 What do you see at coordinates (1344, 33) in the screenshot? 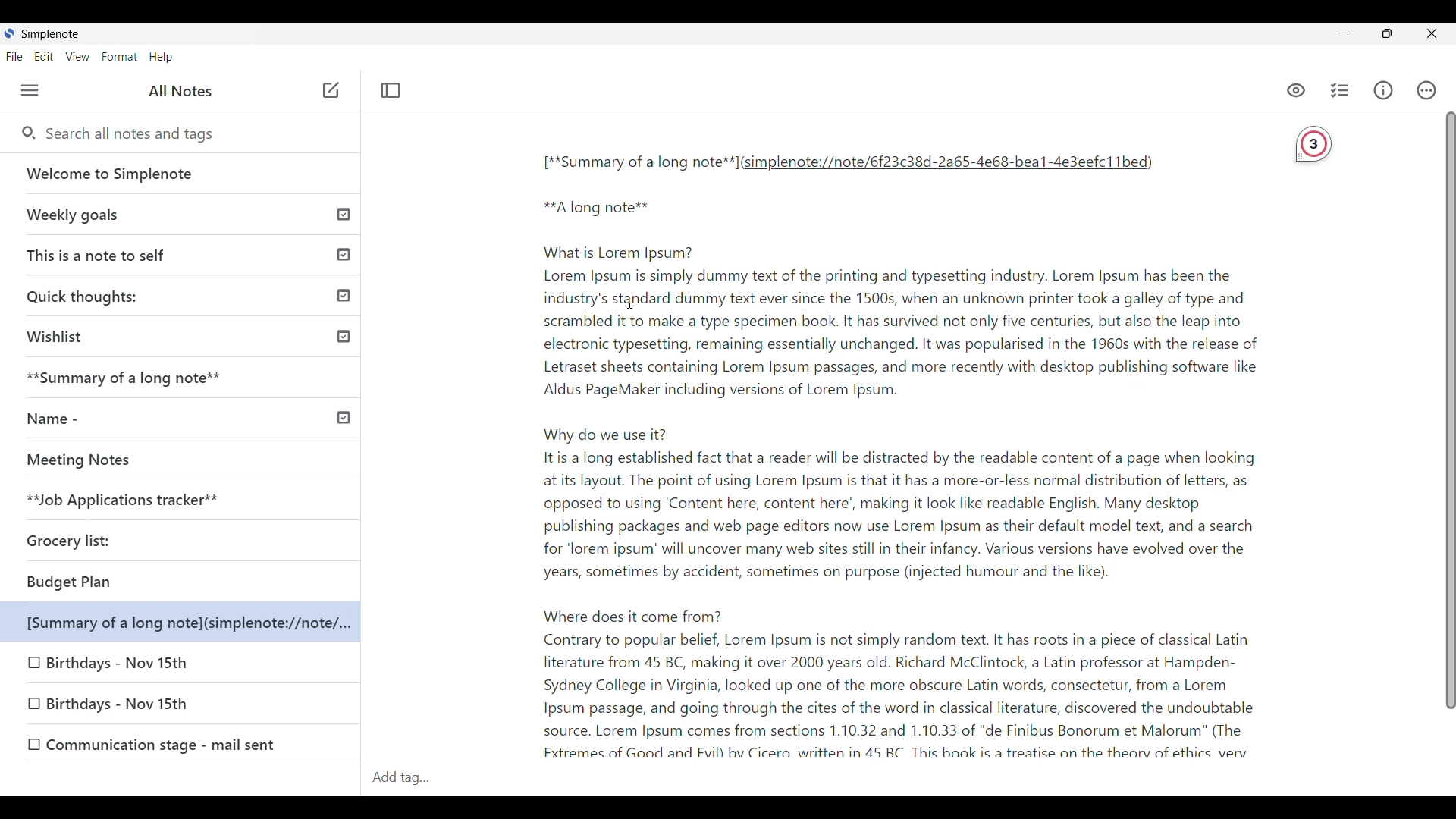
I see `Minimize` at bounding box center [1344, 33].